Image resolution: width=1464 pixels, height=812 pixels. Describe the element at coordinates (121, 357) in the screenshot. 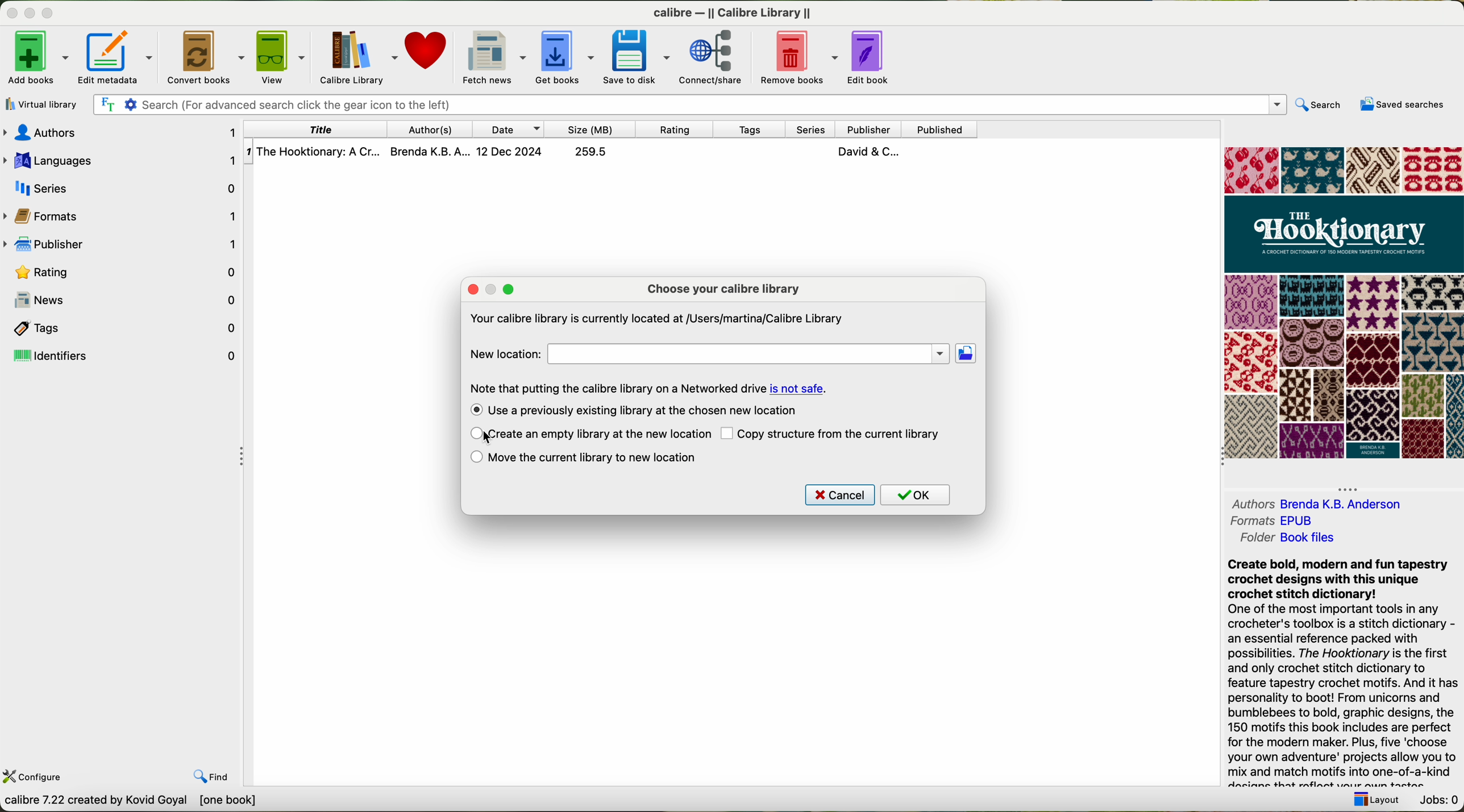

I see `identifiers` at that location.